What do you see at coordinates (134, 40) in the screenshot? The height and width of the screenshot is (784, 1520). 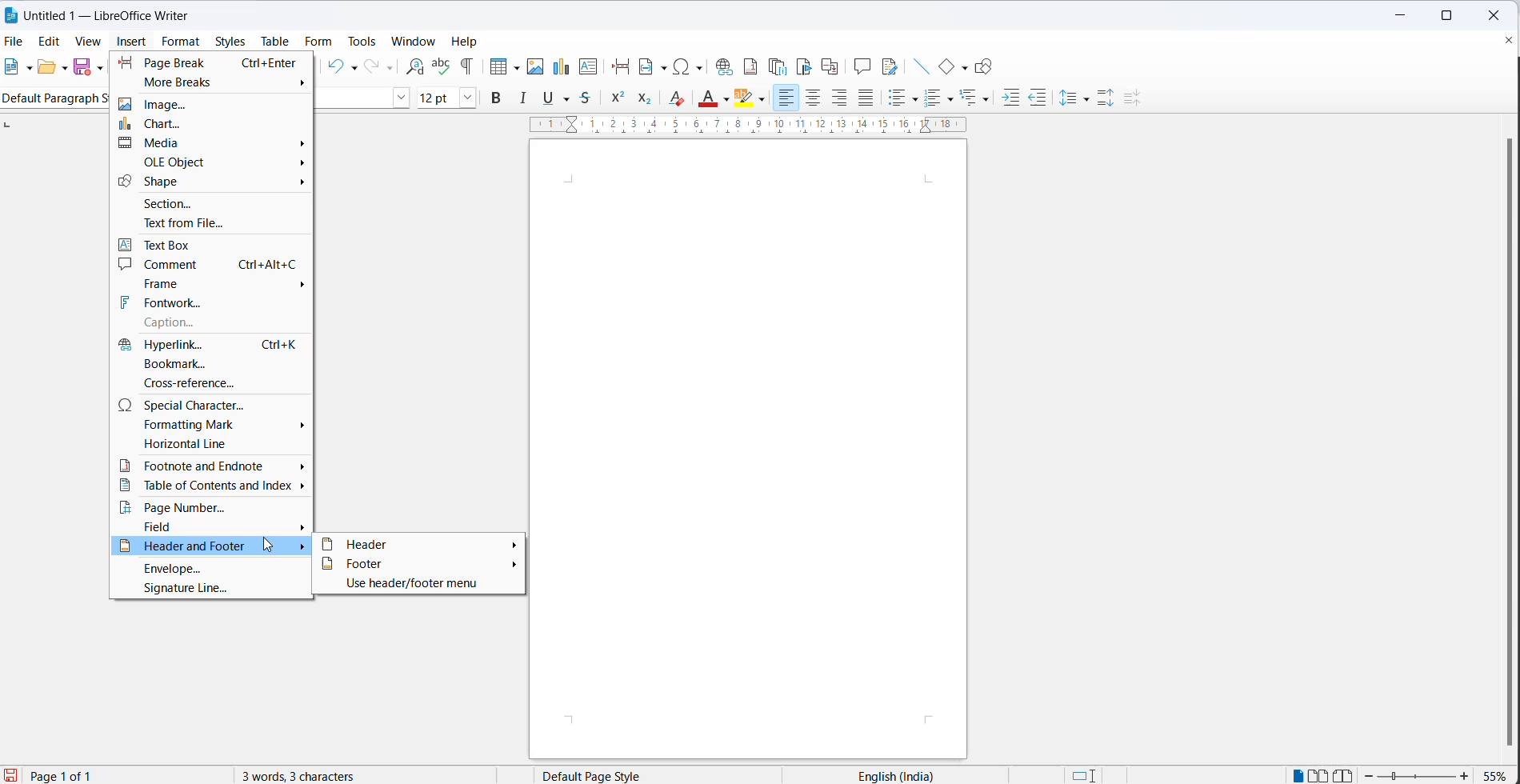 I see `insert` at bounding box center [134, 40].